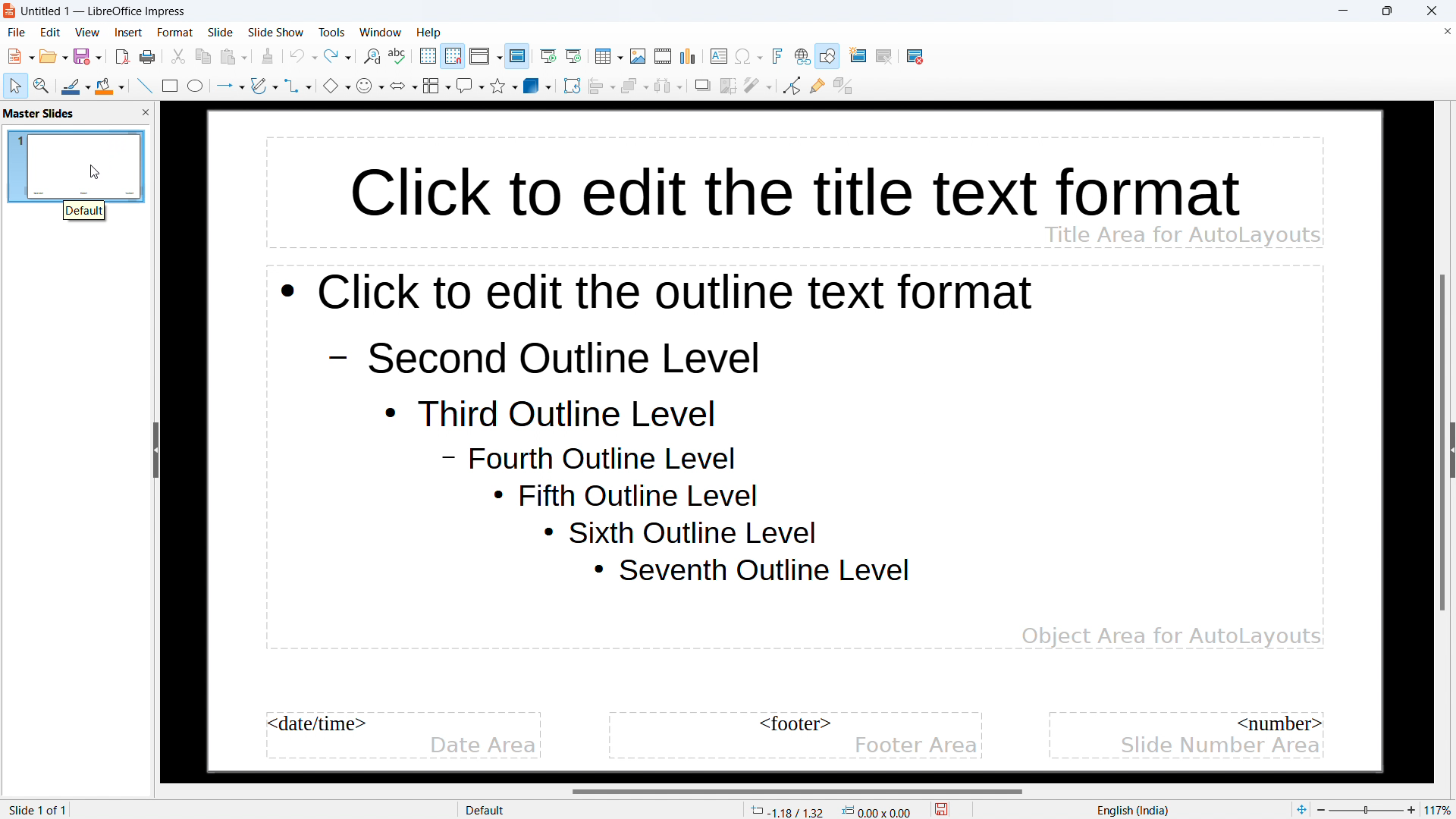 The height and width of the screenshot is (819, 1456). What do you see at coordinates (952, 57) in the screenshot?
I see `slide layout` at bounding box center [952, 57].